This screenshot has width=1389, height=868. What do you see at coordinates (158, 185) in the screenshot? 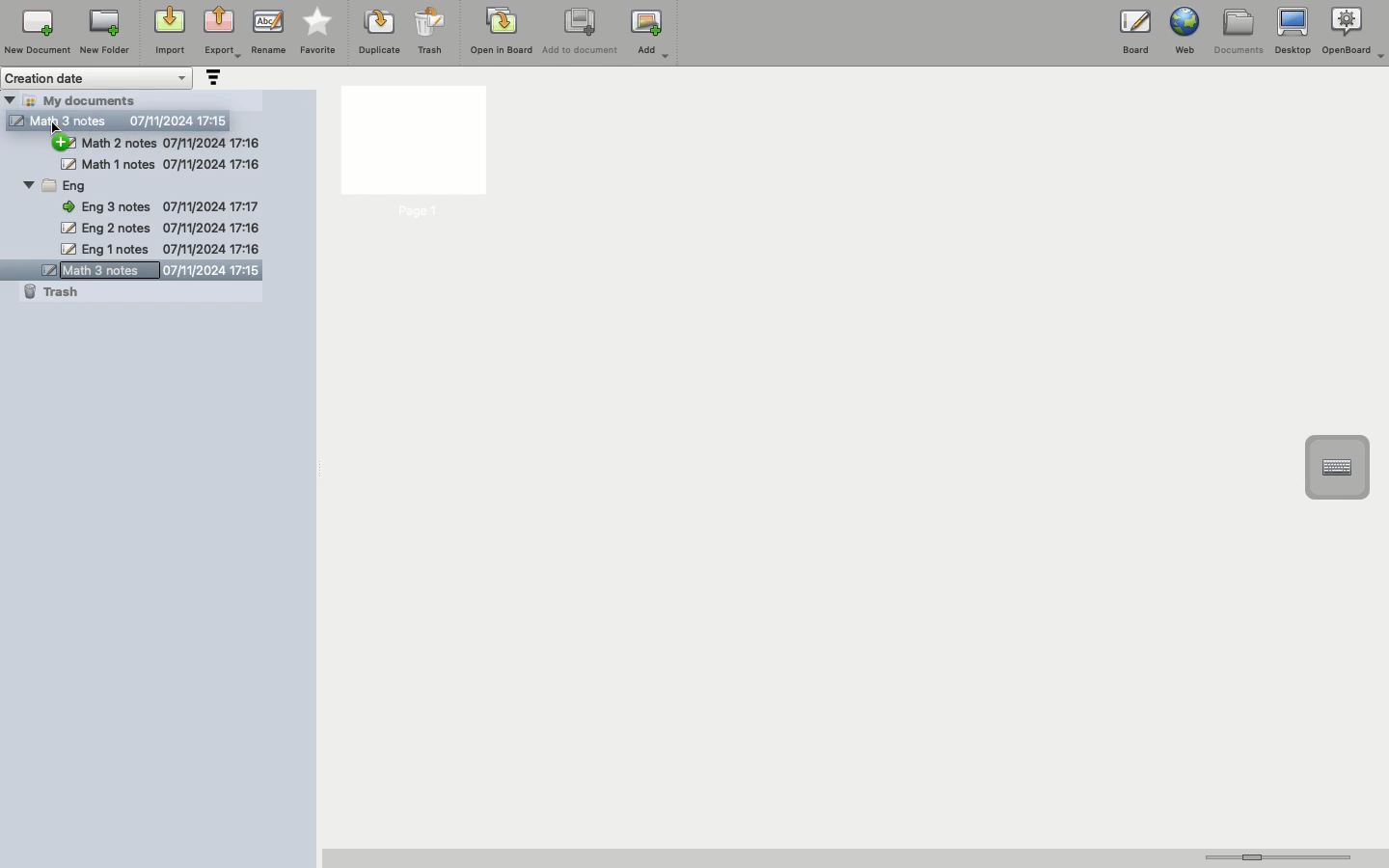
I see `eng` at bounding box center [158, 185].